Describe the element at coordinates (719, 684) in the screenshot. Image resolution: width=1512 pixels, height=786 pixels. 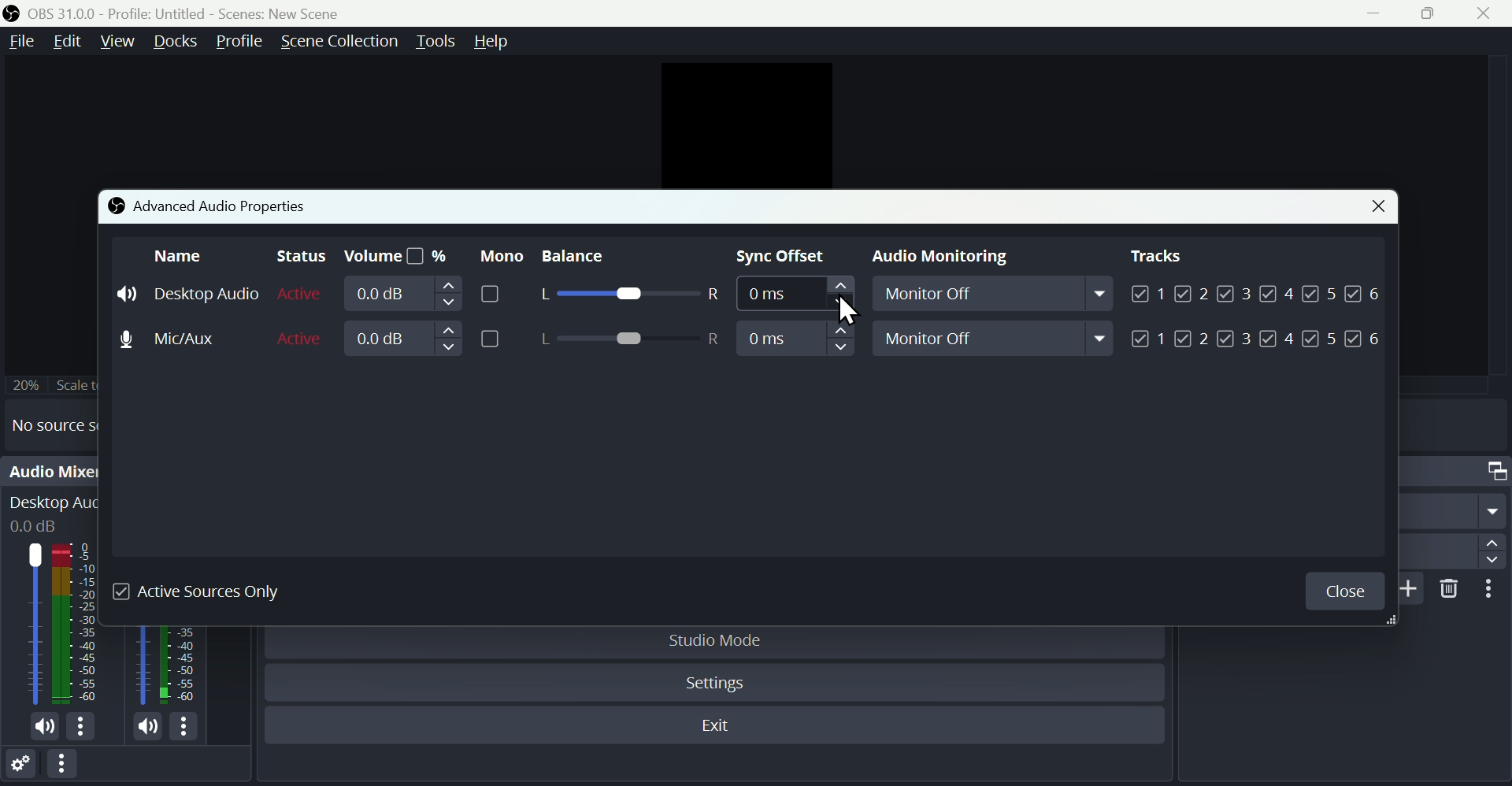
I see `Settings` at that location.